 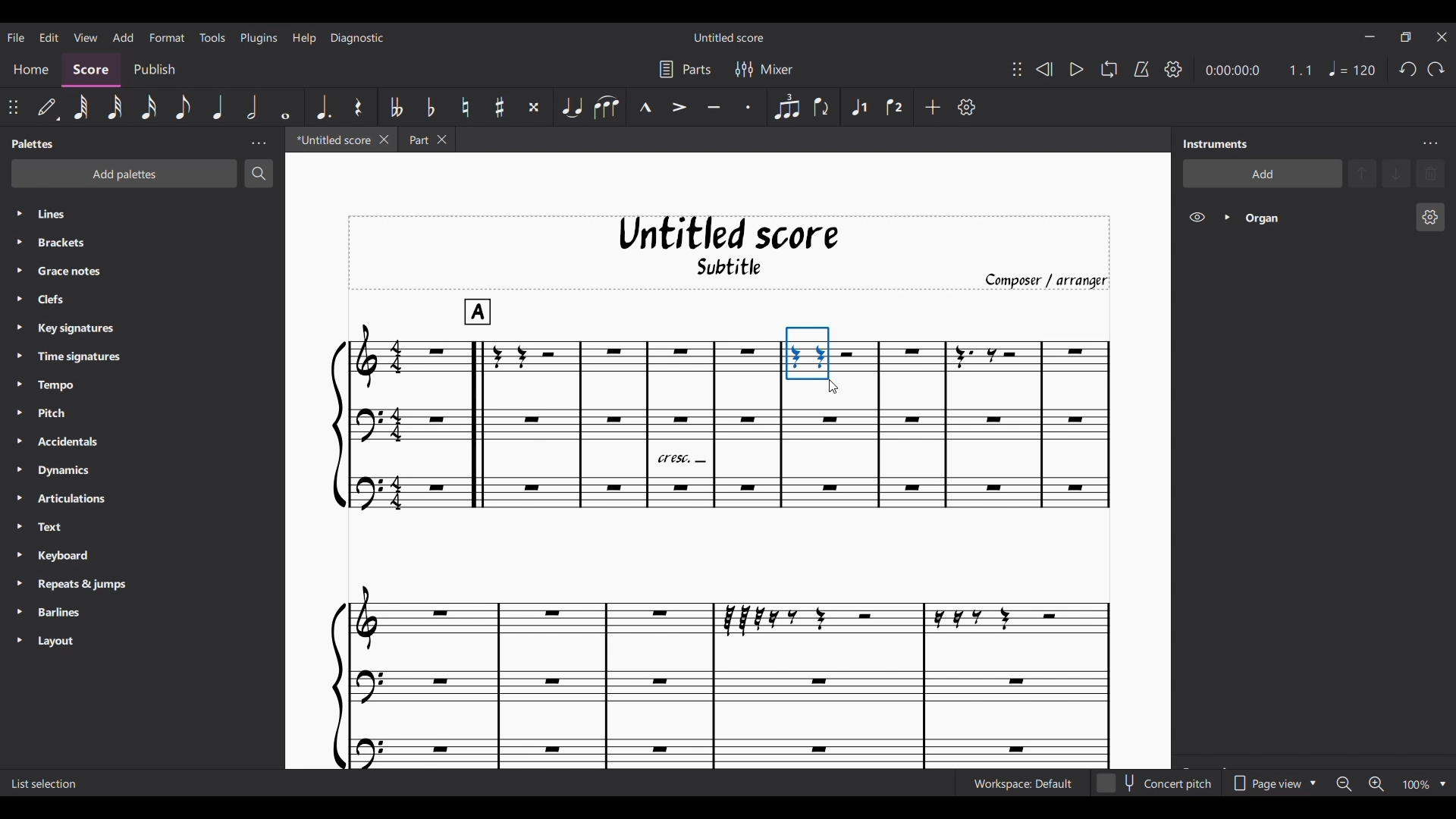 I want to click on Expand respective palette, so click(x=19, y=427).